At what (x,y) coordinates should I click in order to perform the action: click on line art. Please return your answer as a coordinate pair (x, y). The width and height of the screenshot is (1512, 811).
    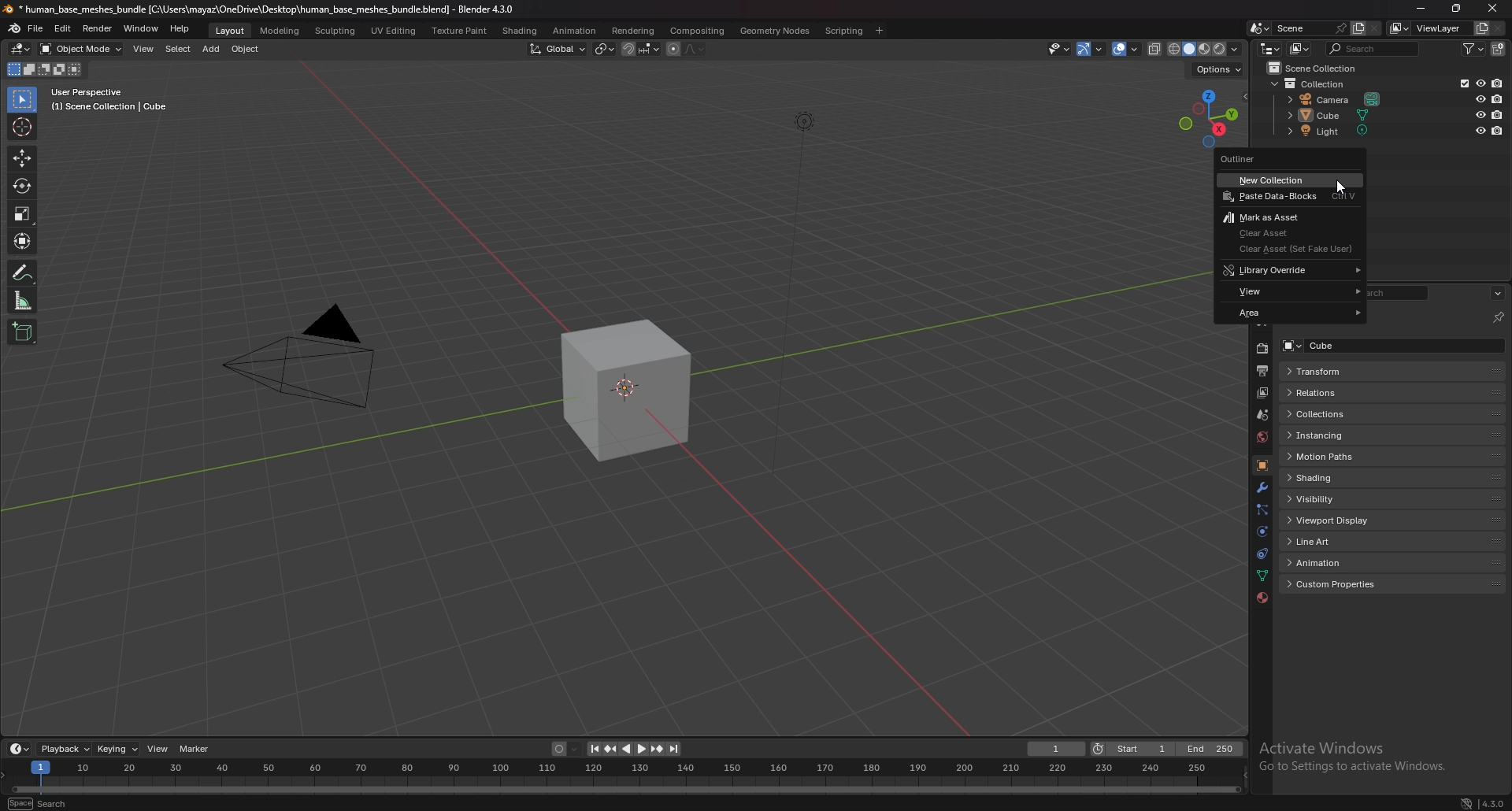
    Looking at the image, I should click on (1339, 543).